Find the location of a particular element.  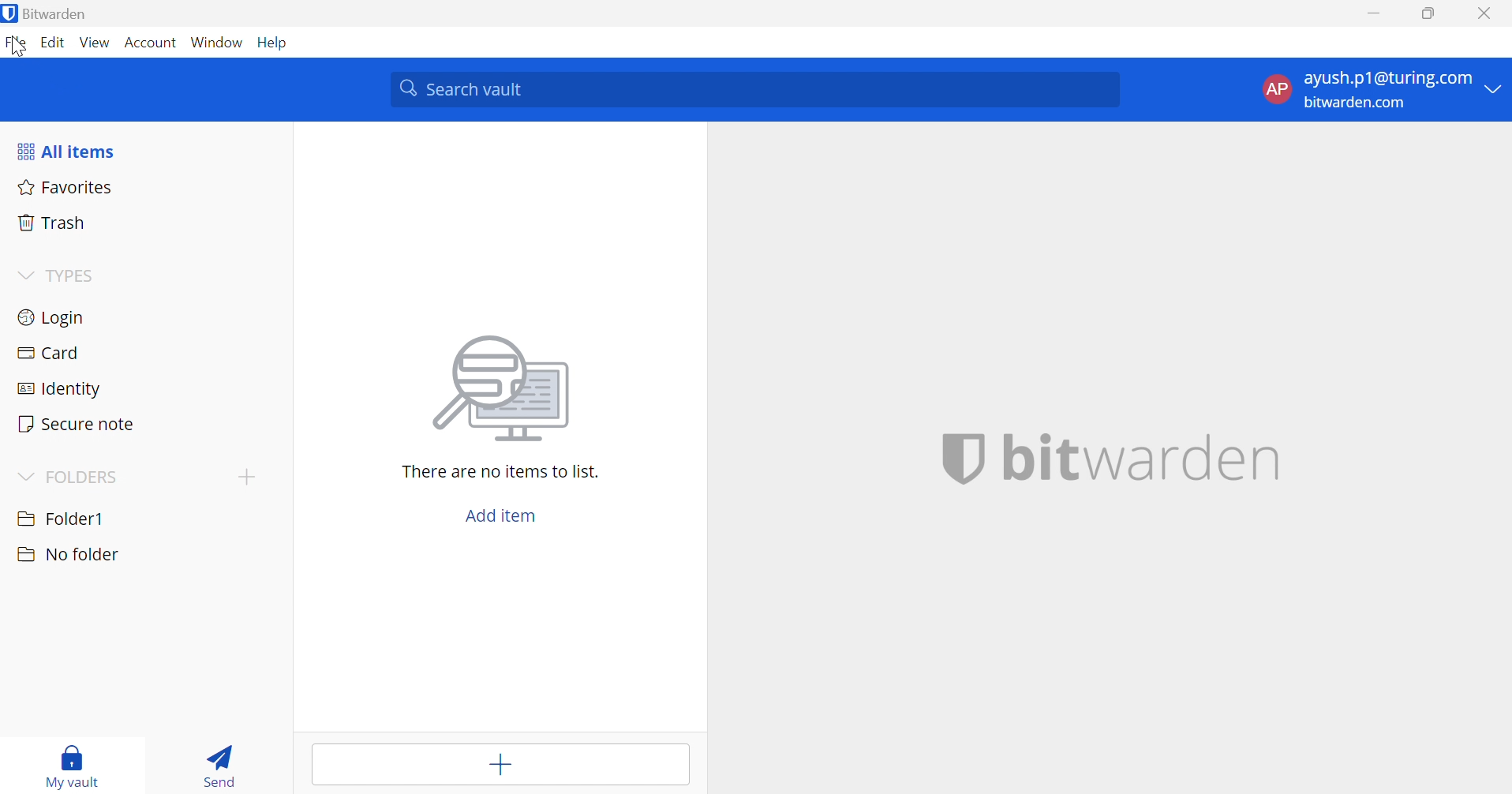

Search Vault is located at coordinates (758, 90).